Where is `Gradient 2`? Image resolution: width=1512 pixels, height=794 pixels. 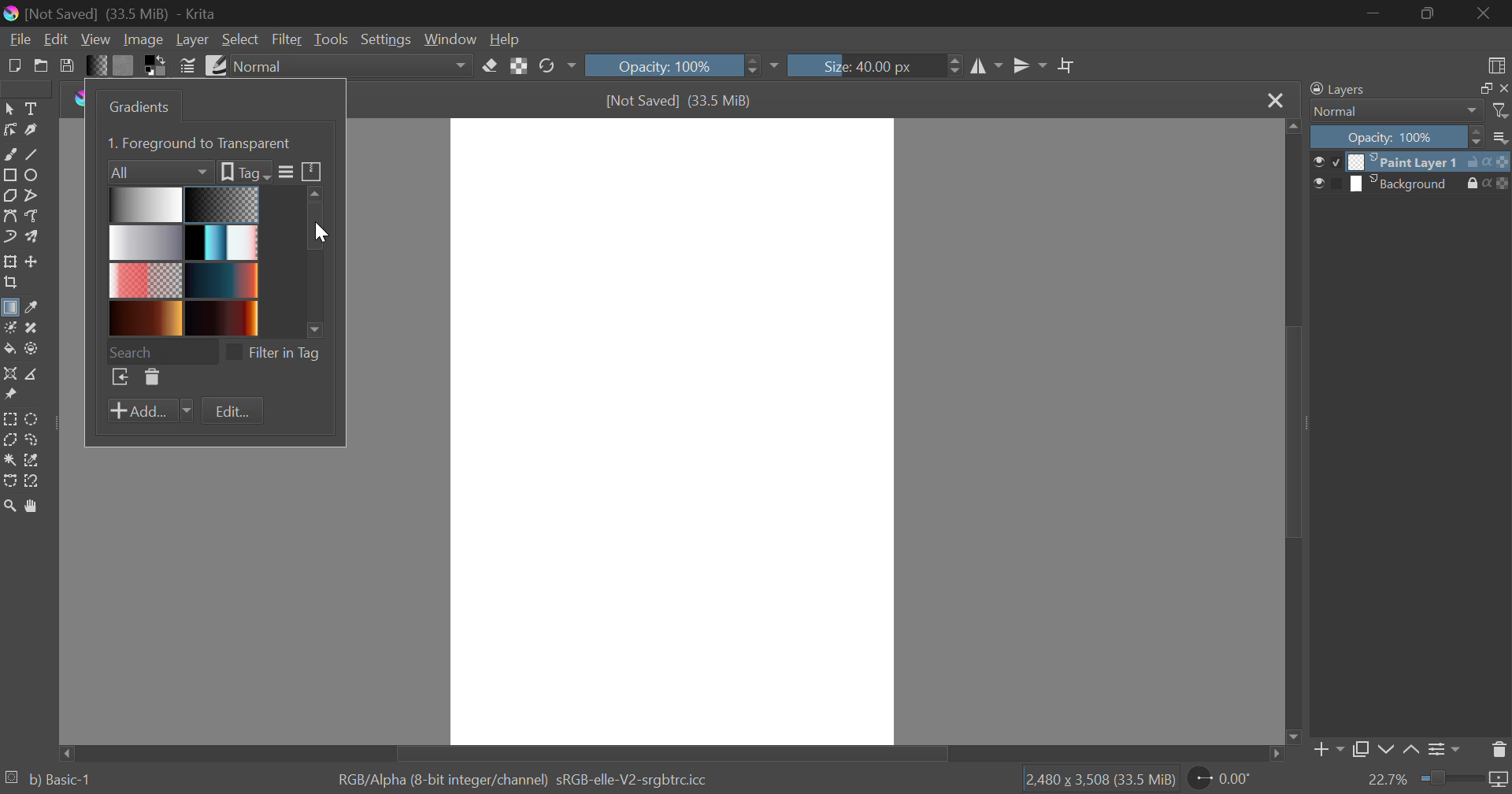
Gradient 2 is located at coordinates (219, 204).